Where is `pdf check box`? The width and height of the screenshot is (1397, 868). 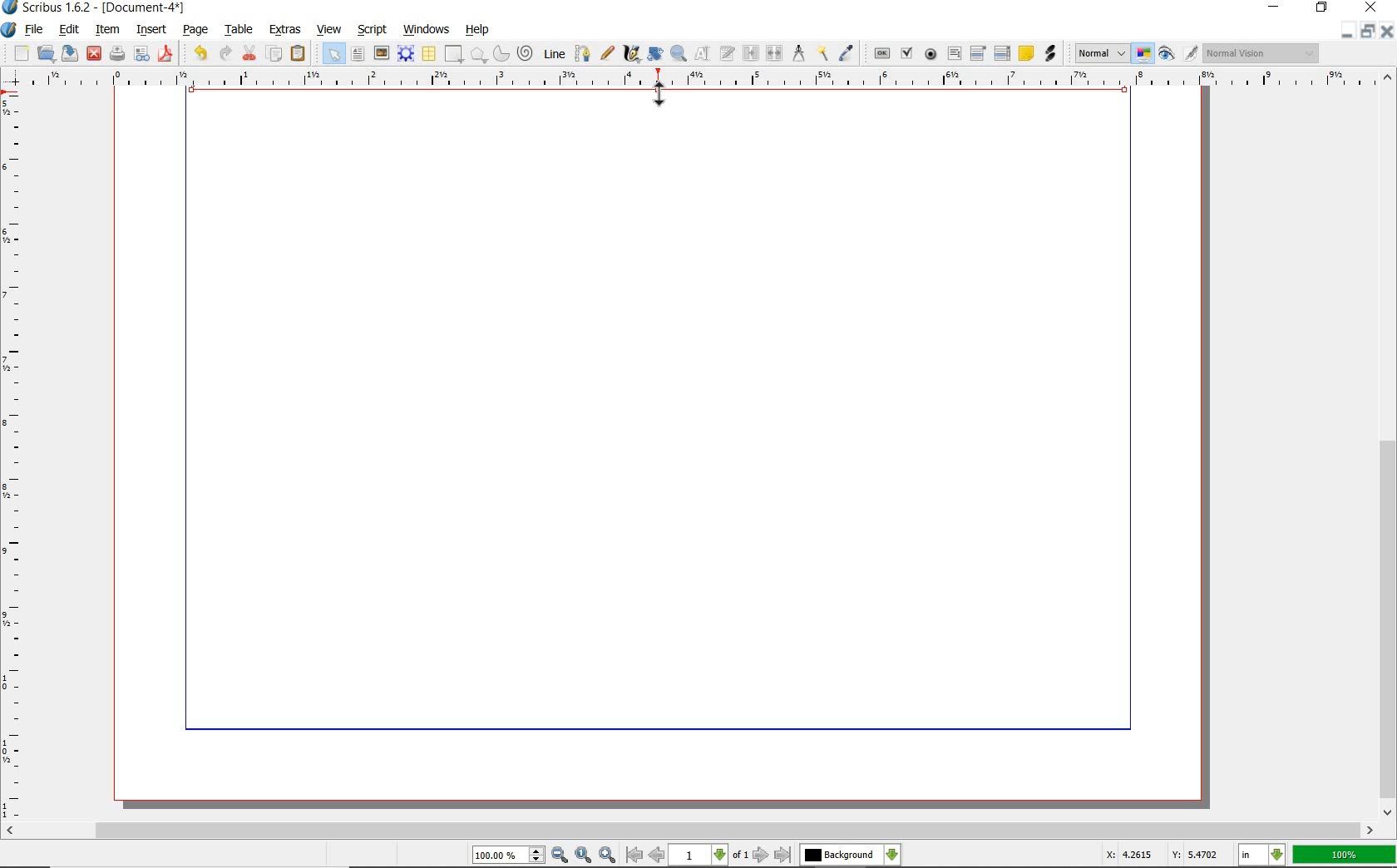
pdf check box is located at coordinates (906, 52).